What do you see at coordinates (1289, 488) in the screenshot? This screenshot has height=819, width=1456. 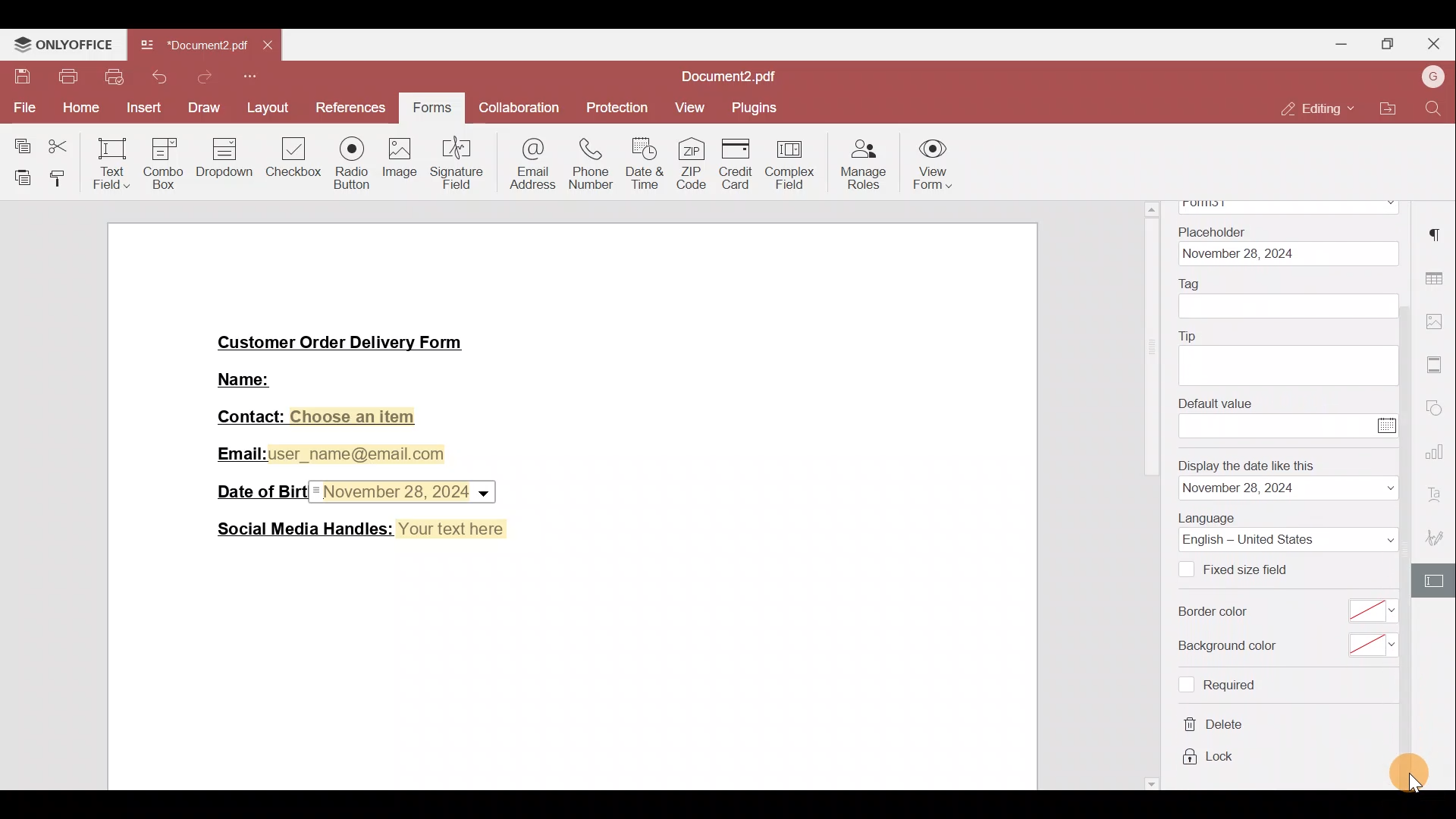 I see `date format` at bounding box center [1289, 488].